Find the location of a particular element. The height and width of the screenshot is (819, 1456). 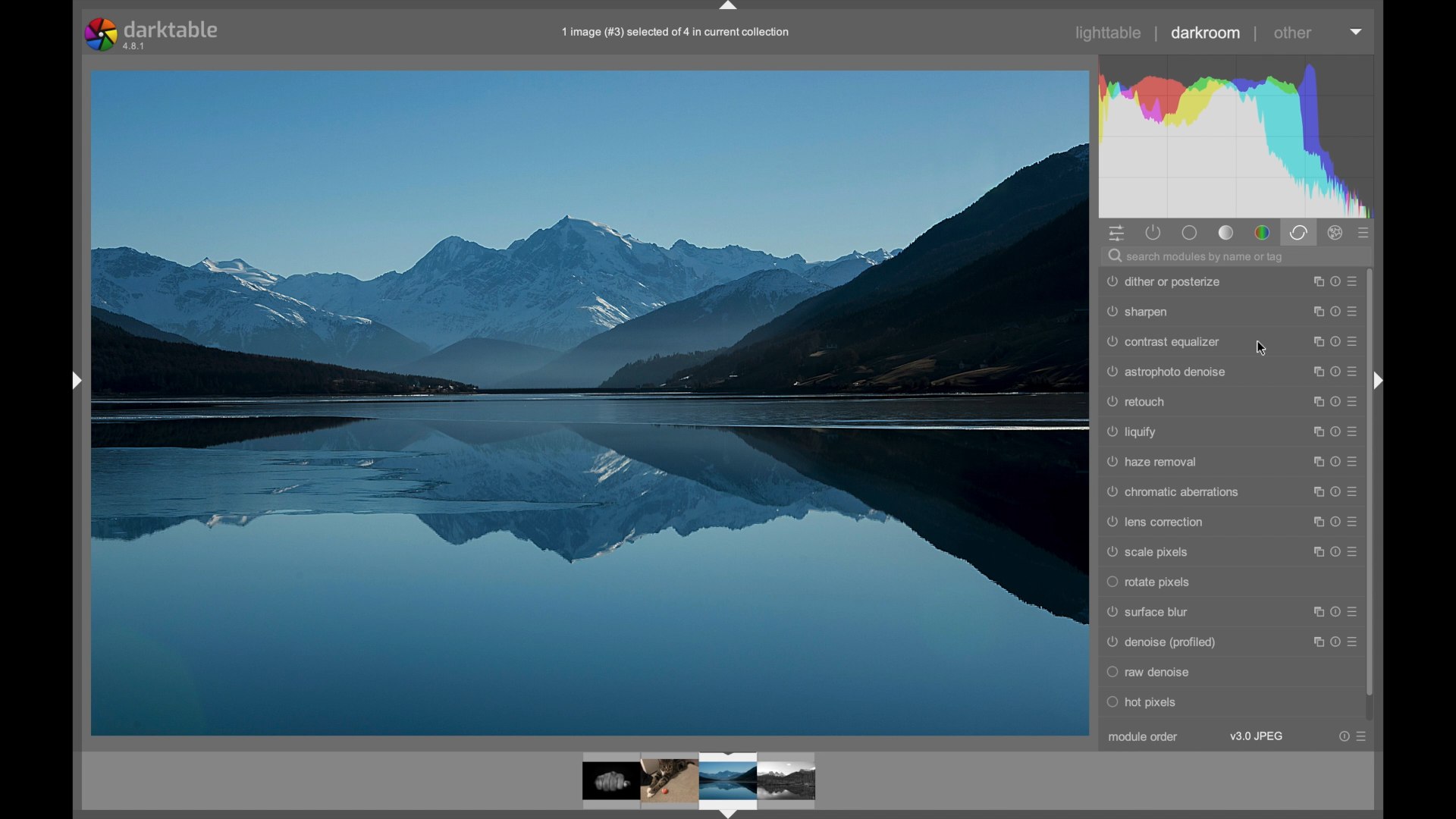

astrophoto denoise is located at coordinates (1169, 373).